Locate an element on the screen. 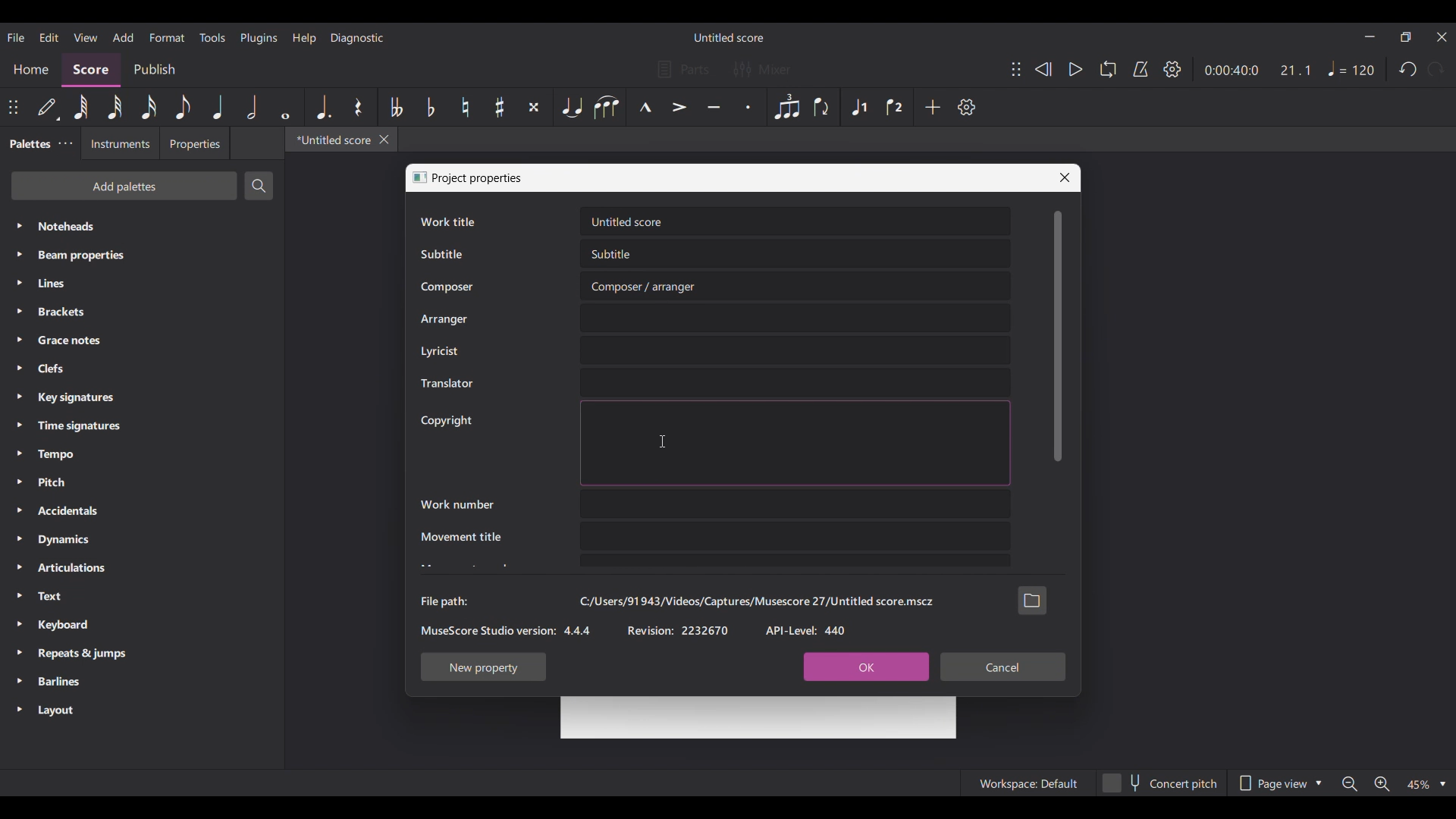 This screenshot has height=819, width=1456. Add is located at coordinates (932, 107).